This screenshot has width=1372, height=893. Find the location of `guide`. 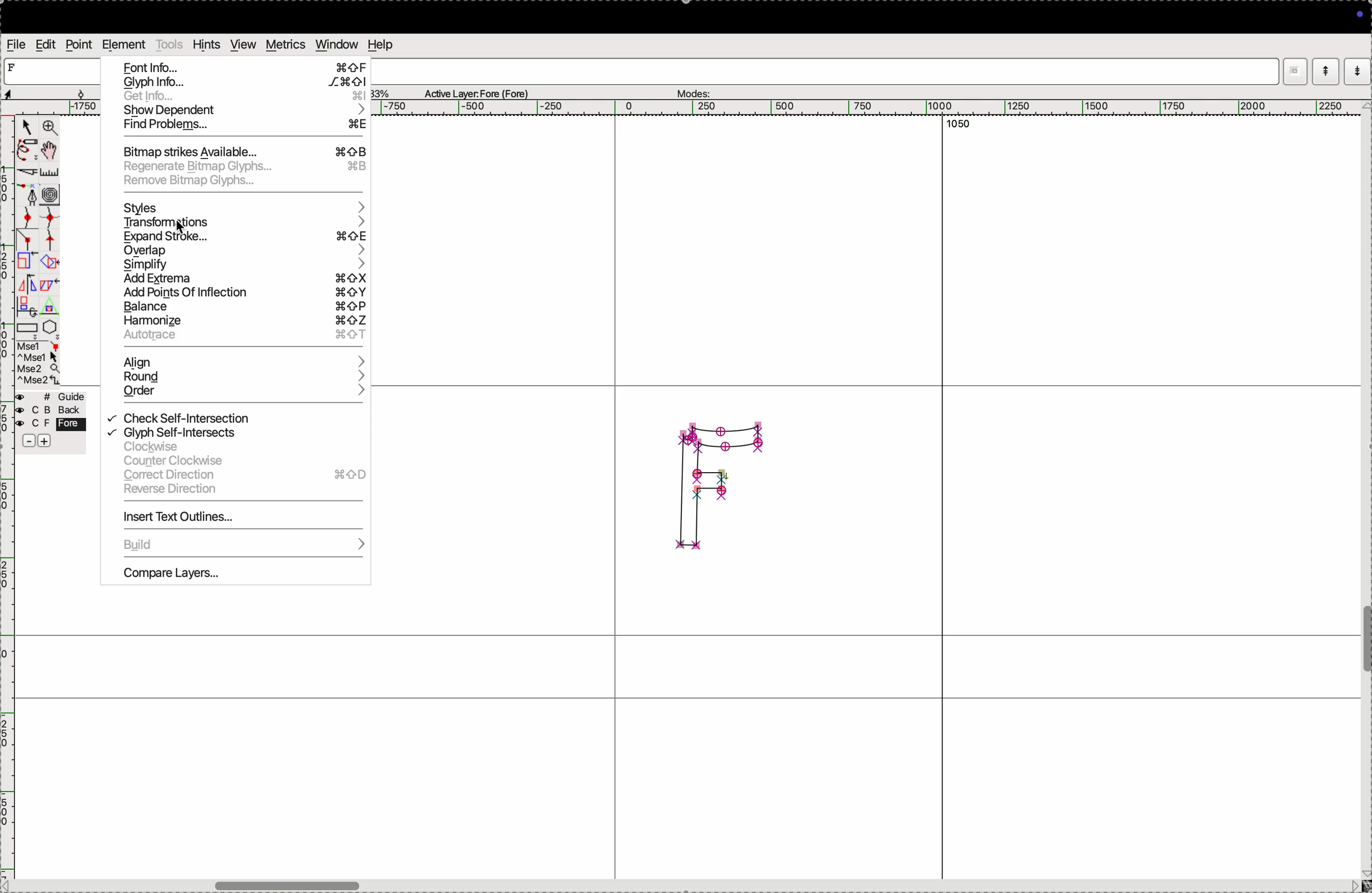

guide is located at coordinates (54, 397).